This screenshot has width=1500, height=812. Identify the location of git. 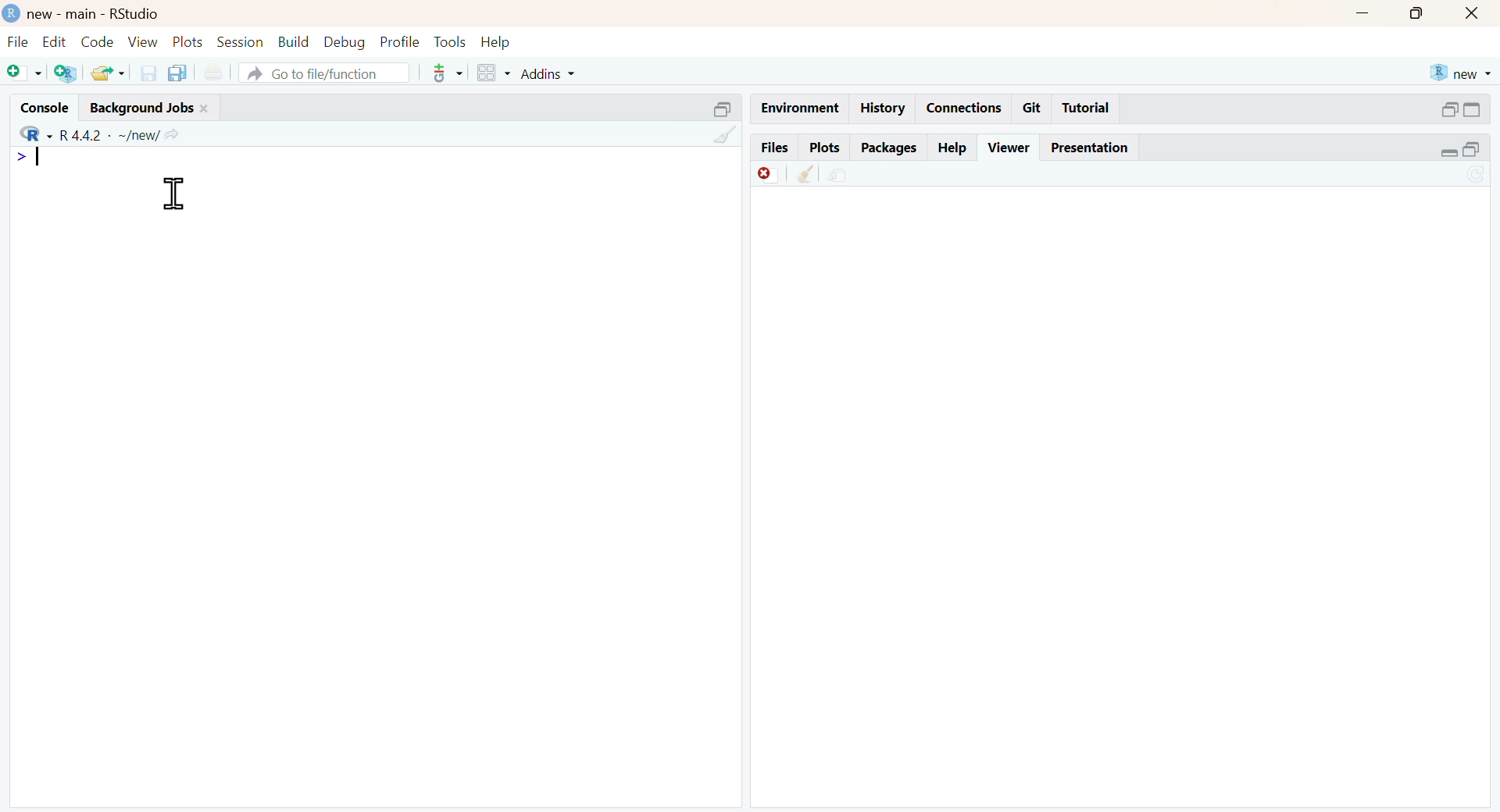
(1034, 109).